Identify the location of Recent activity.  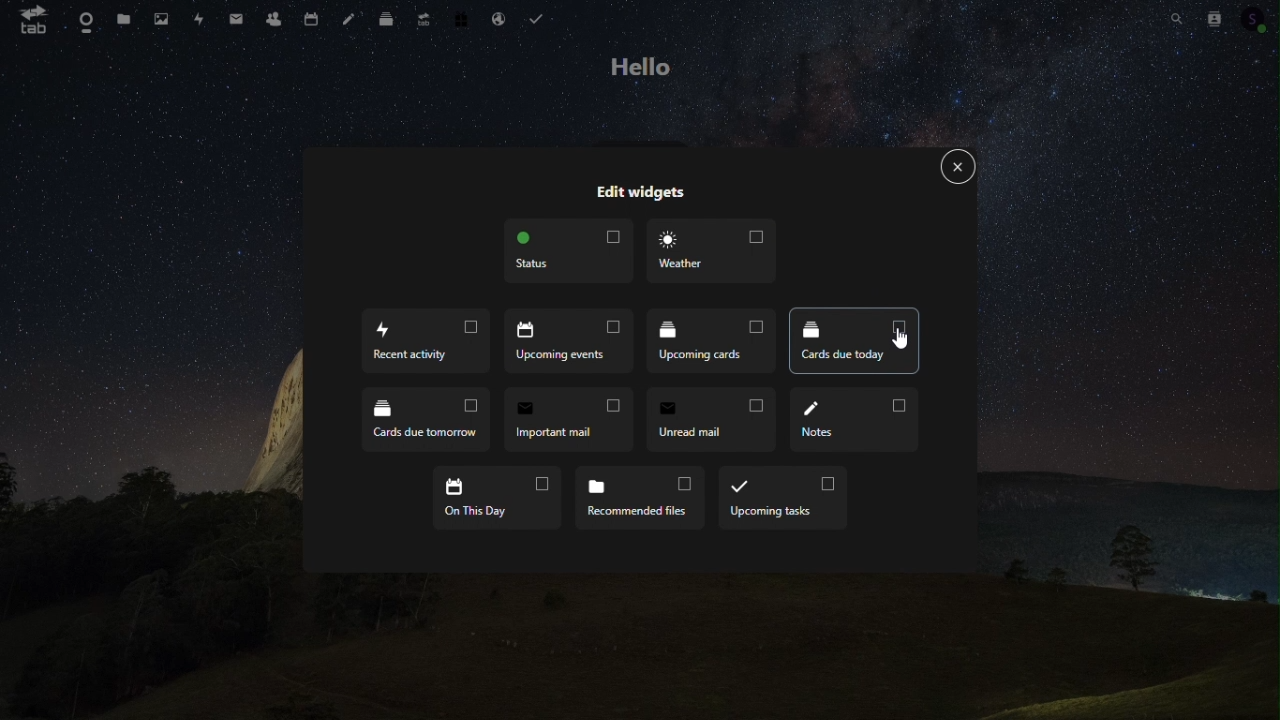
(426, 342).